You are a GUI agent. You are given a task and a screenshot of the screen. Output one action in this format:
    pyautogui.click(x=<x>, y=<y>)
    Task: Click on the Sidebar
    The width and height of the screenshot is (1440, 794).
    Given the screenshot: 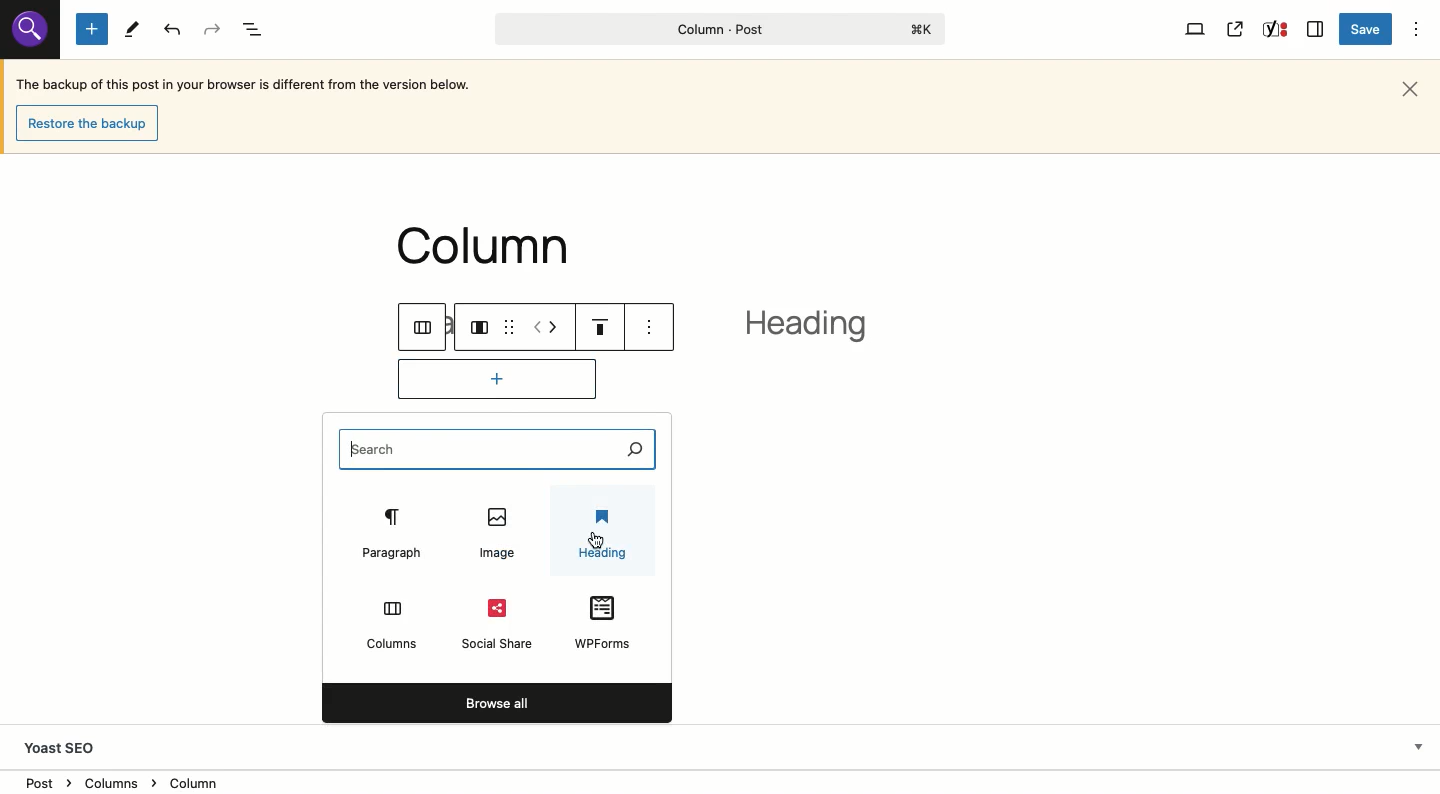 What is the action you would take?
    pyautogui.click(x=1316, y=27)
    